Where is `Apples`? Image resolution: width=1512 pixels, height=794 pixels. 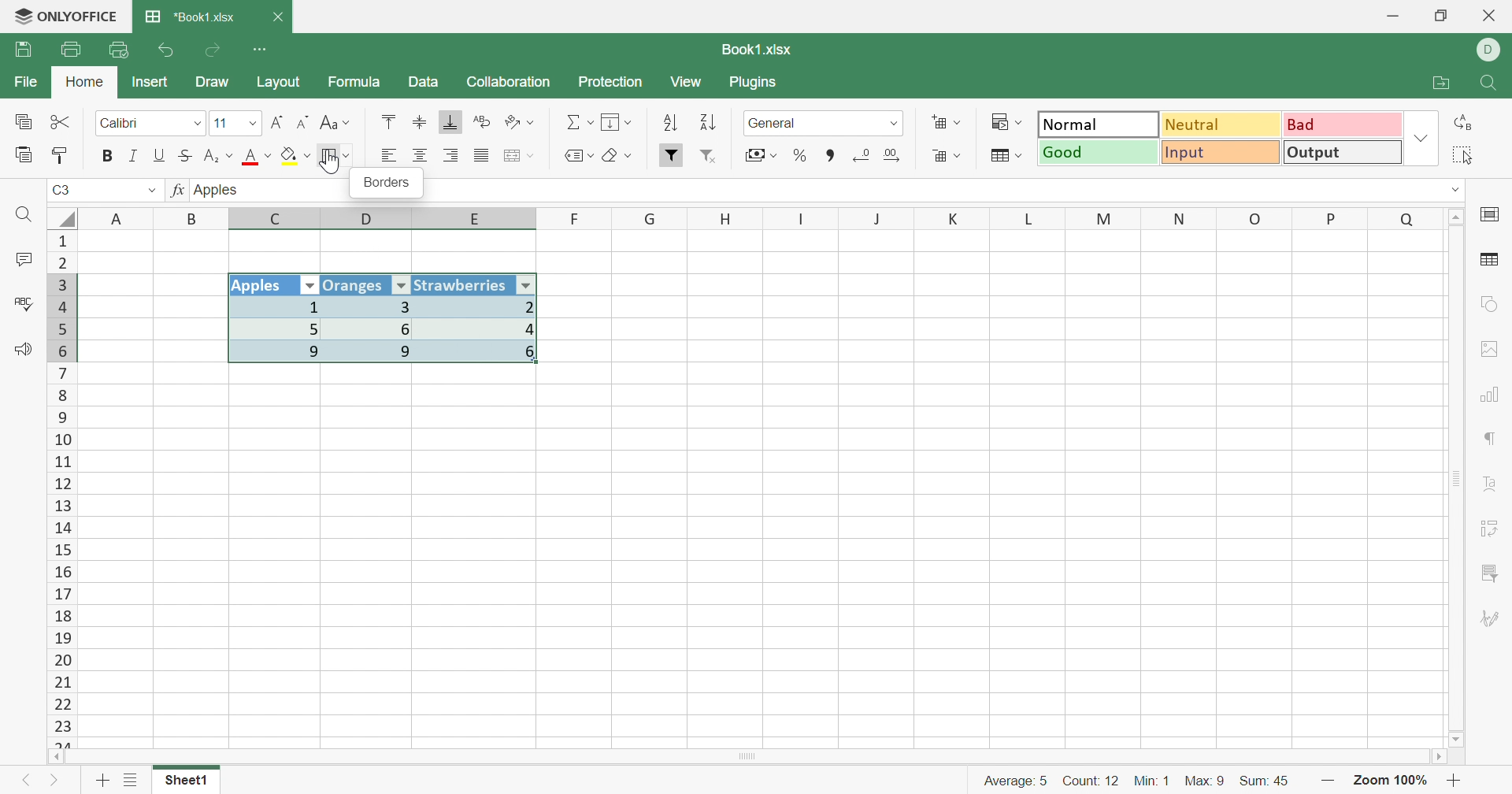 Apples is located at coordinates (262, 286).